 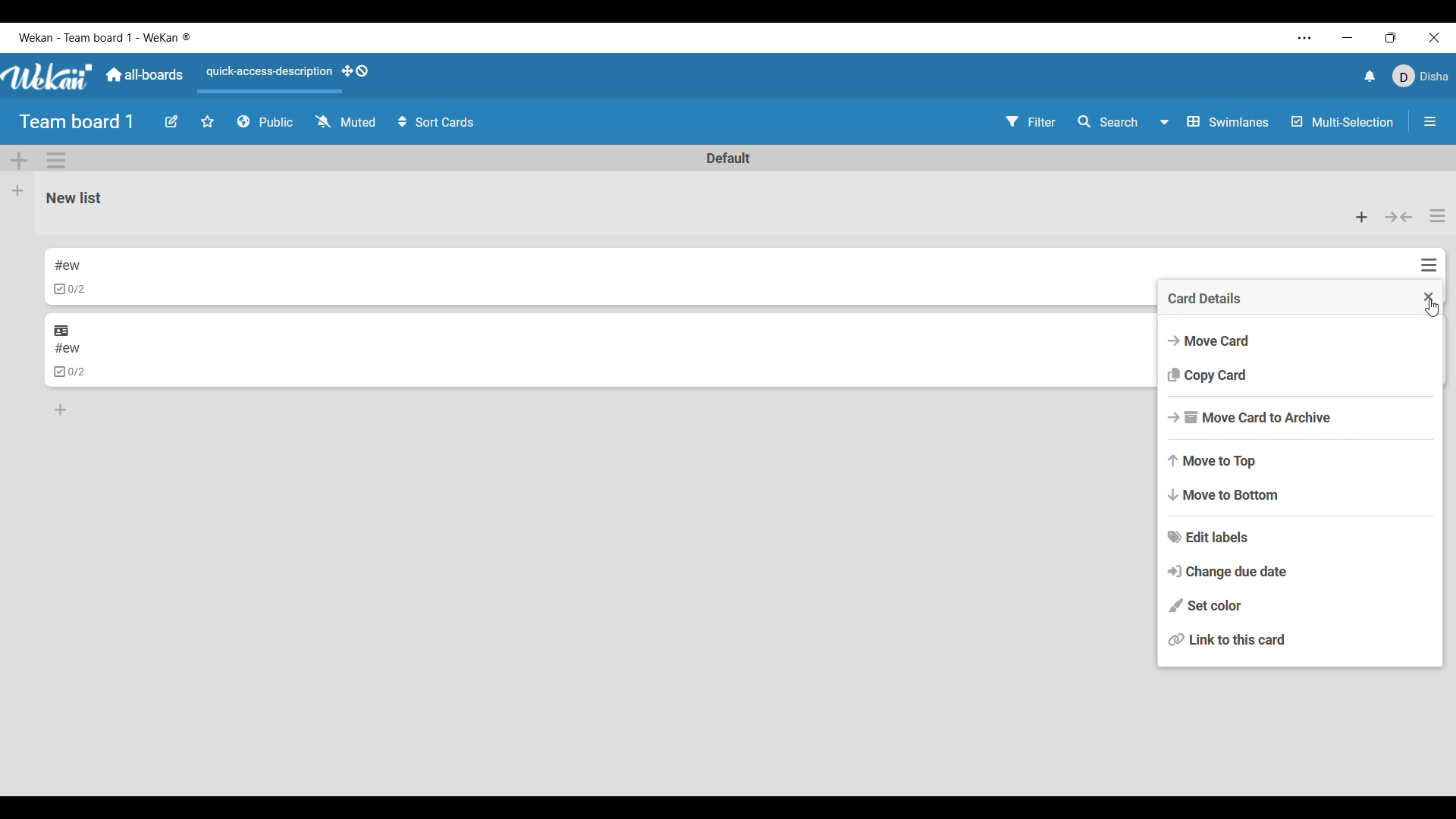 I want to click on Set color, so click(x=1300, y=606).